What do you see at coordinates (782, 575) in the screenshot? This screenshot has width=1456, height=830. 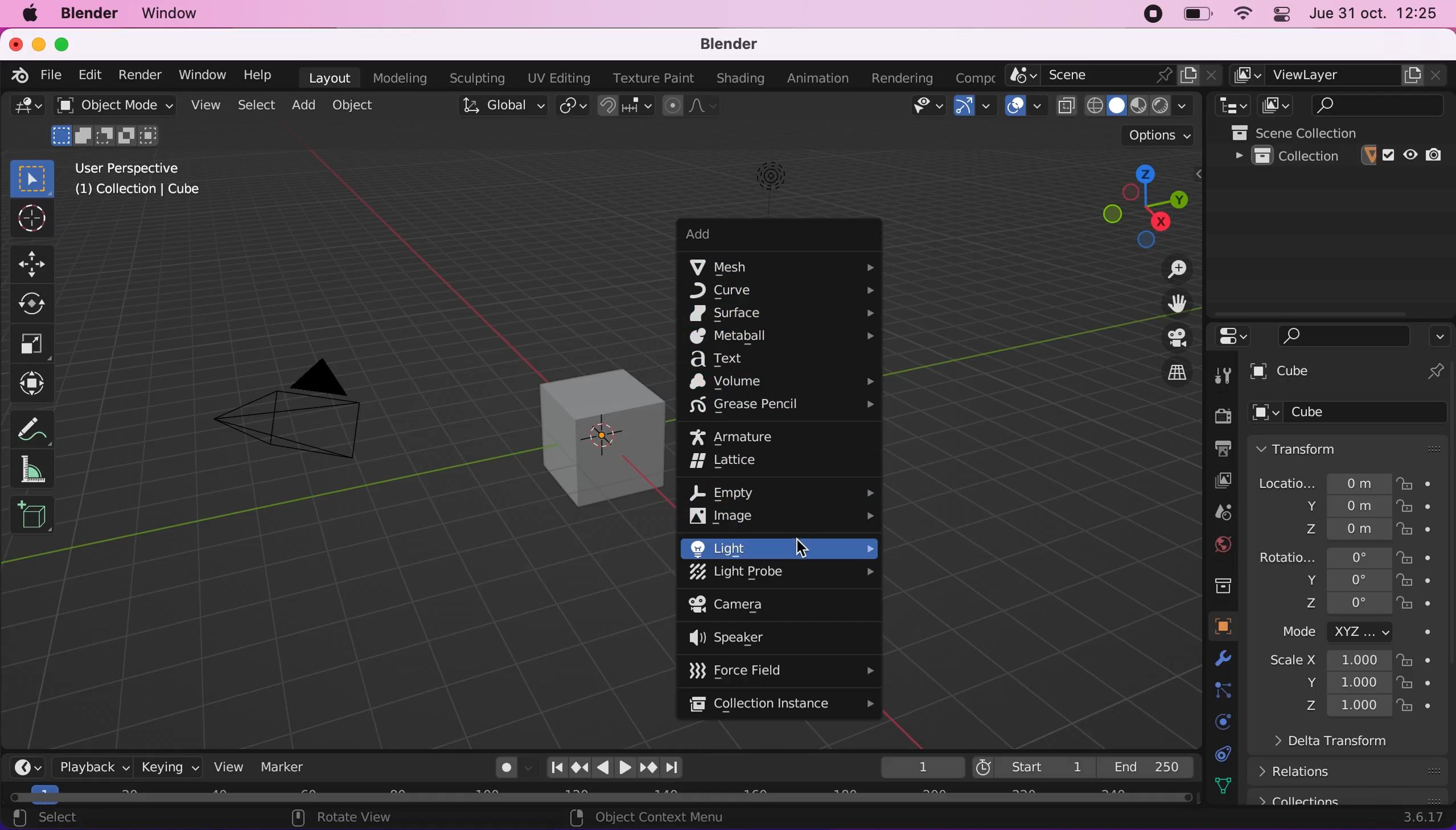 I see `light probe` at bounding box center [782, 575].